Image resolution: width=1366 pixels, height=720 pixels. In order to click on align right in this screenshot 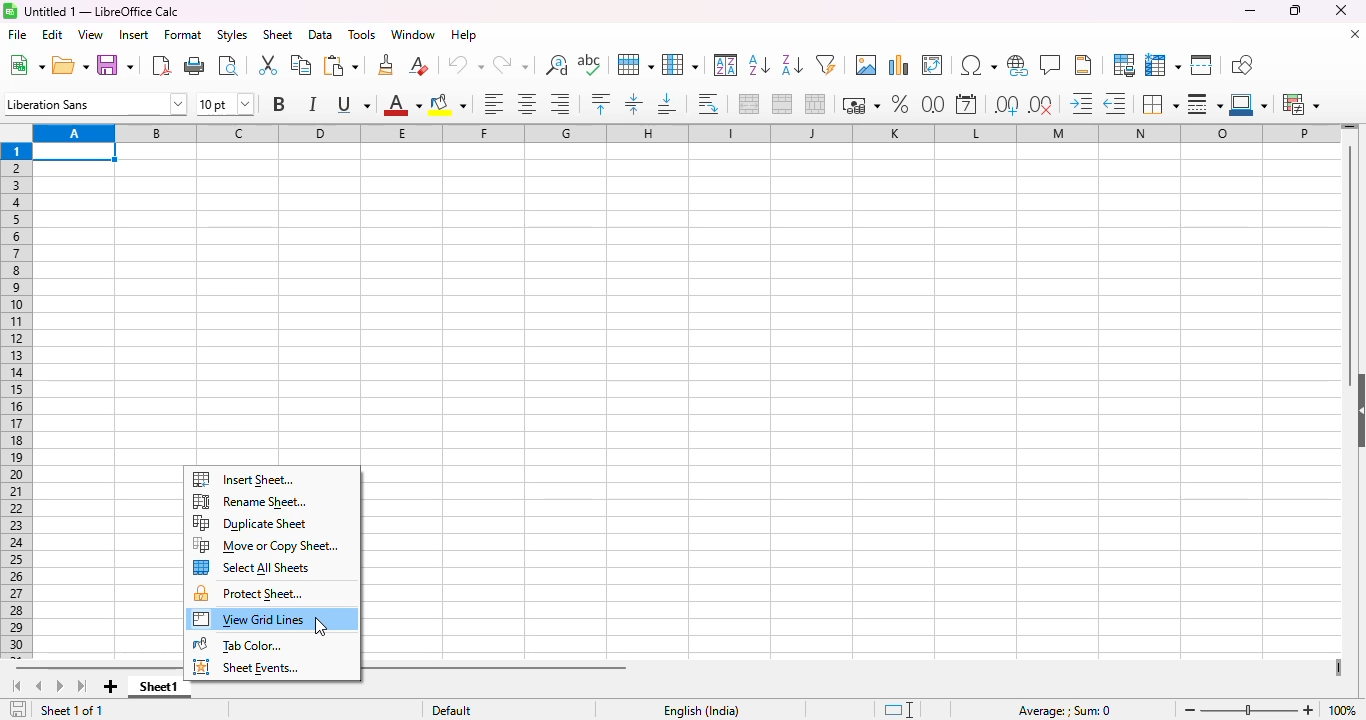, I will do `click(560, 104)`.